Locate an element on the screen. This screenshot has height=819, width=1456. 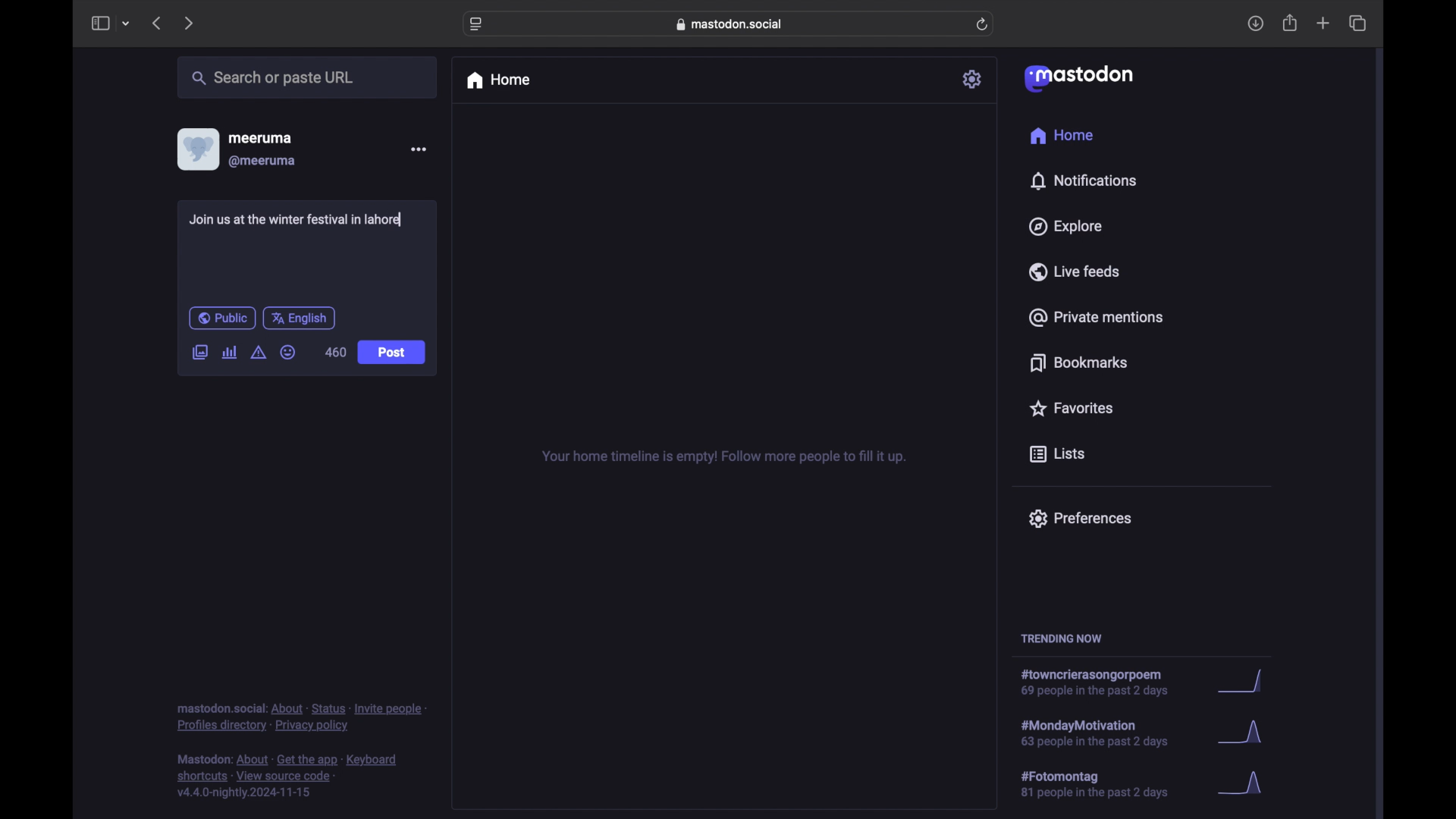
tab group picker is located at coordinates (126, 24).